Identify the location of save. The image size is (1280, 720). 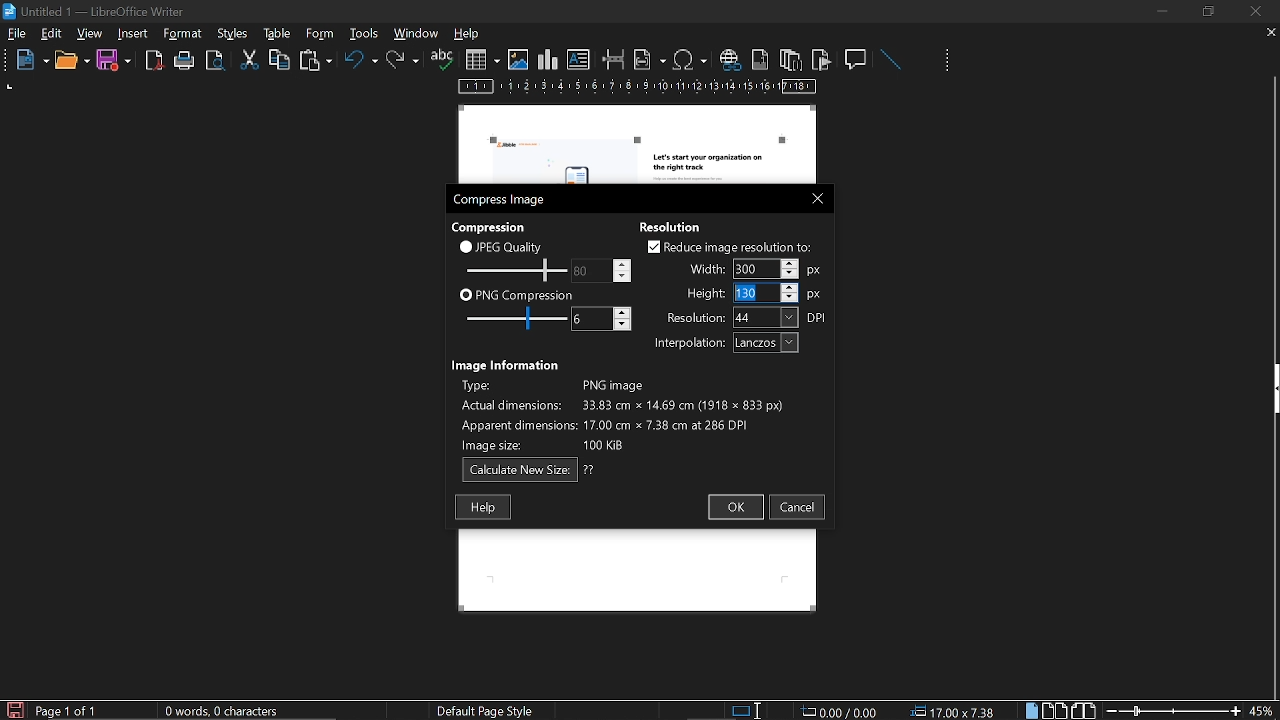
(114, 61).